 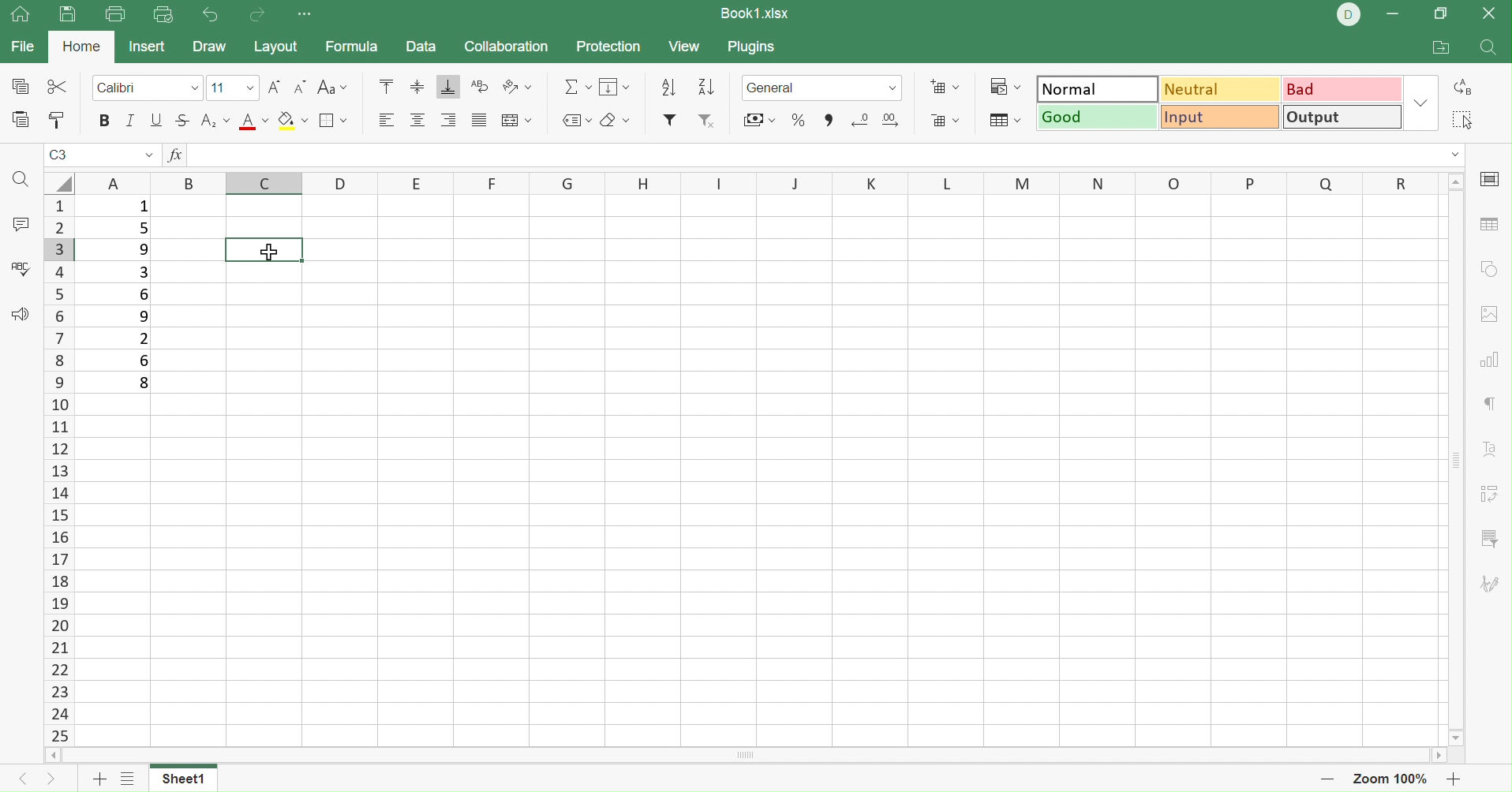 What do you see at coordinates (273, 87) in the screenshot?
I see `Increment font size` at bounding box center [273, 87].